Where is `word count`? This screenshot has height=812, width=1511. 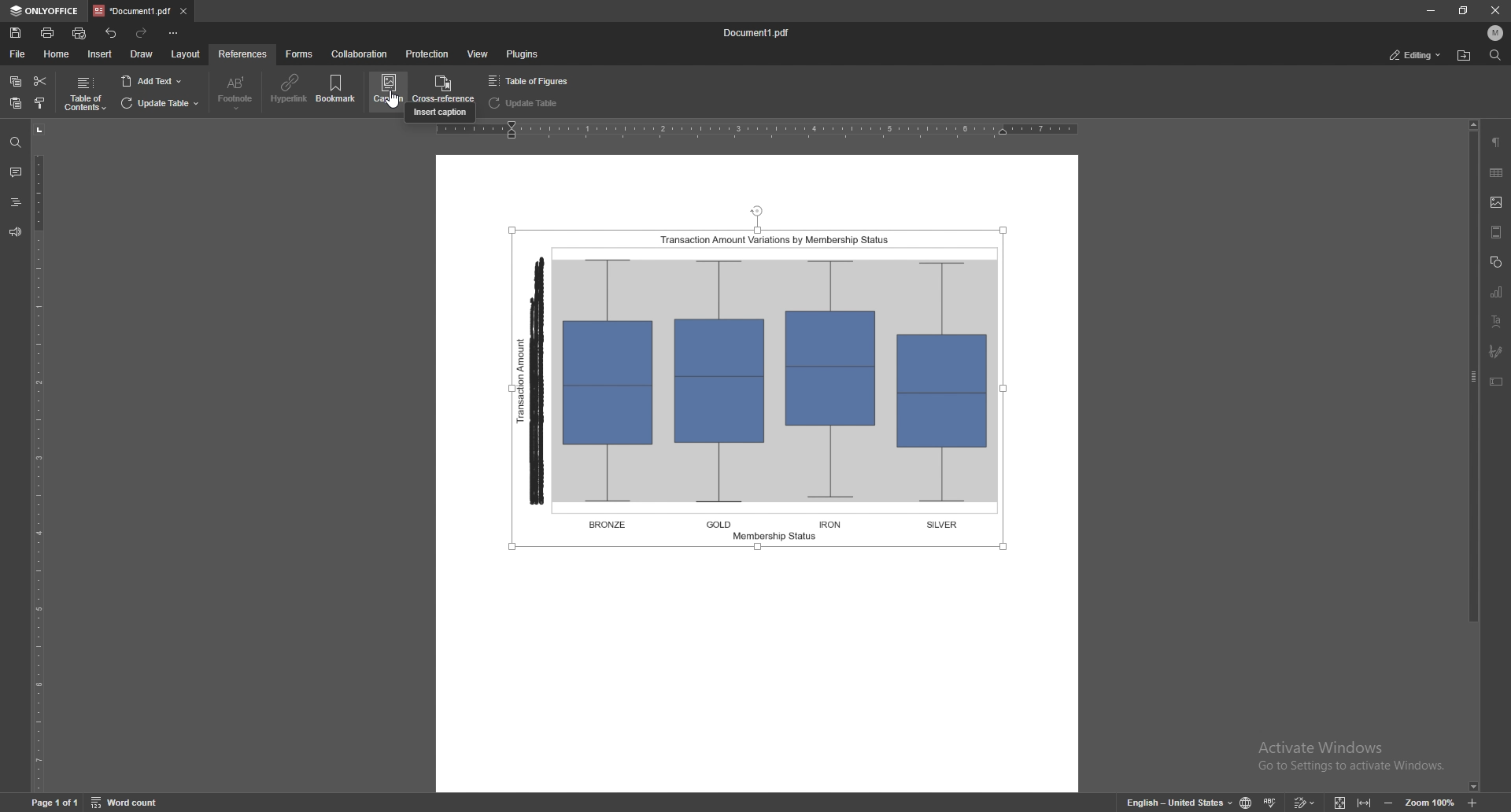 word count is located at coordinates (127, 802).